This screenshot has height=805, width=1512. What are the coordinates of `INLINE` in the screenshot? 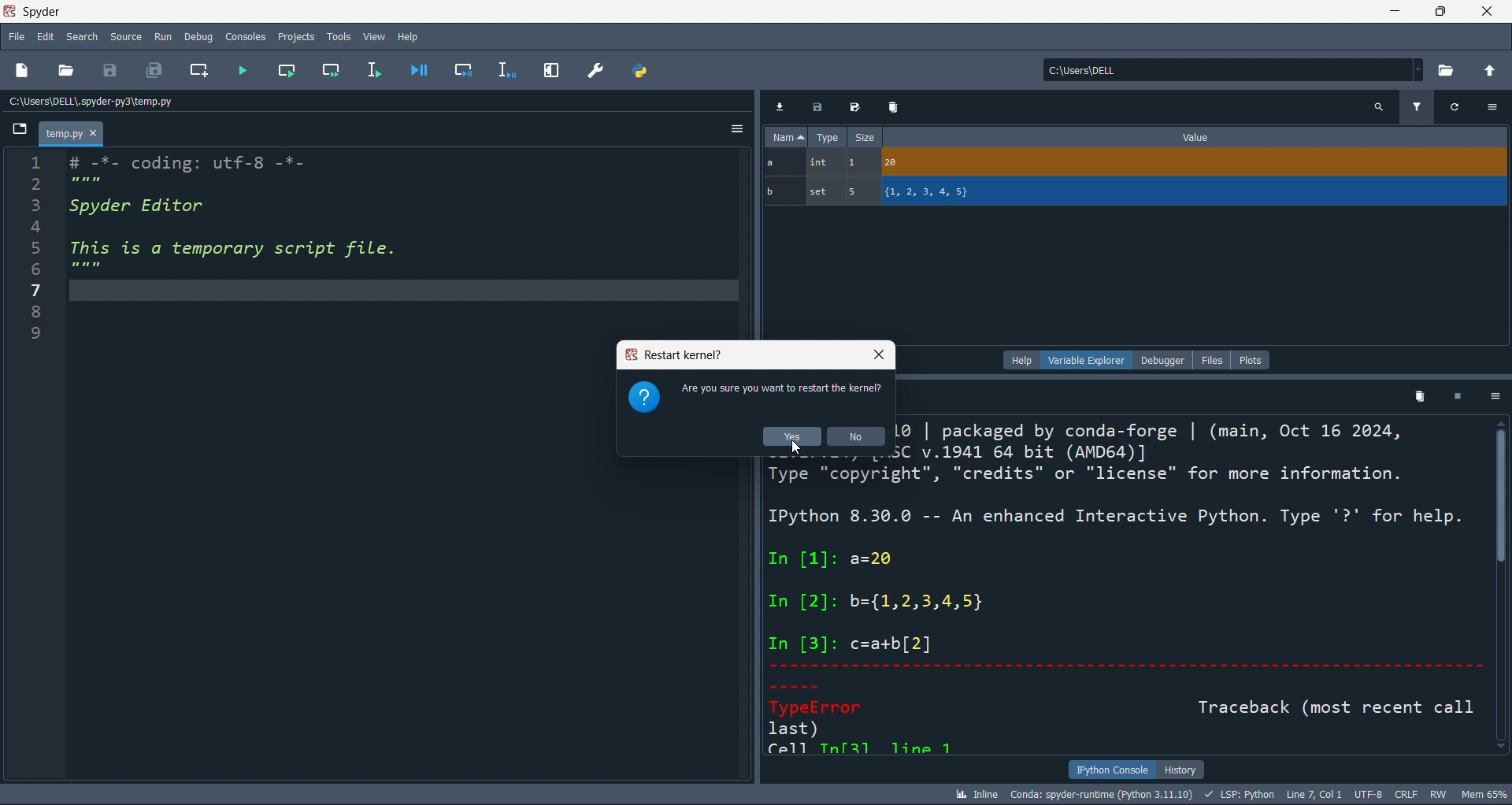 It's located at (976, 793).